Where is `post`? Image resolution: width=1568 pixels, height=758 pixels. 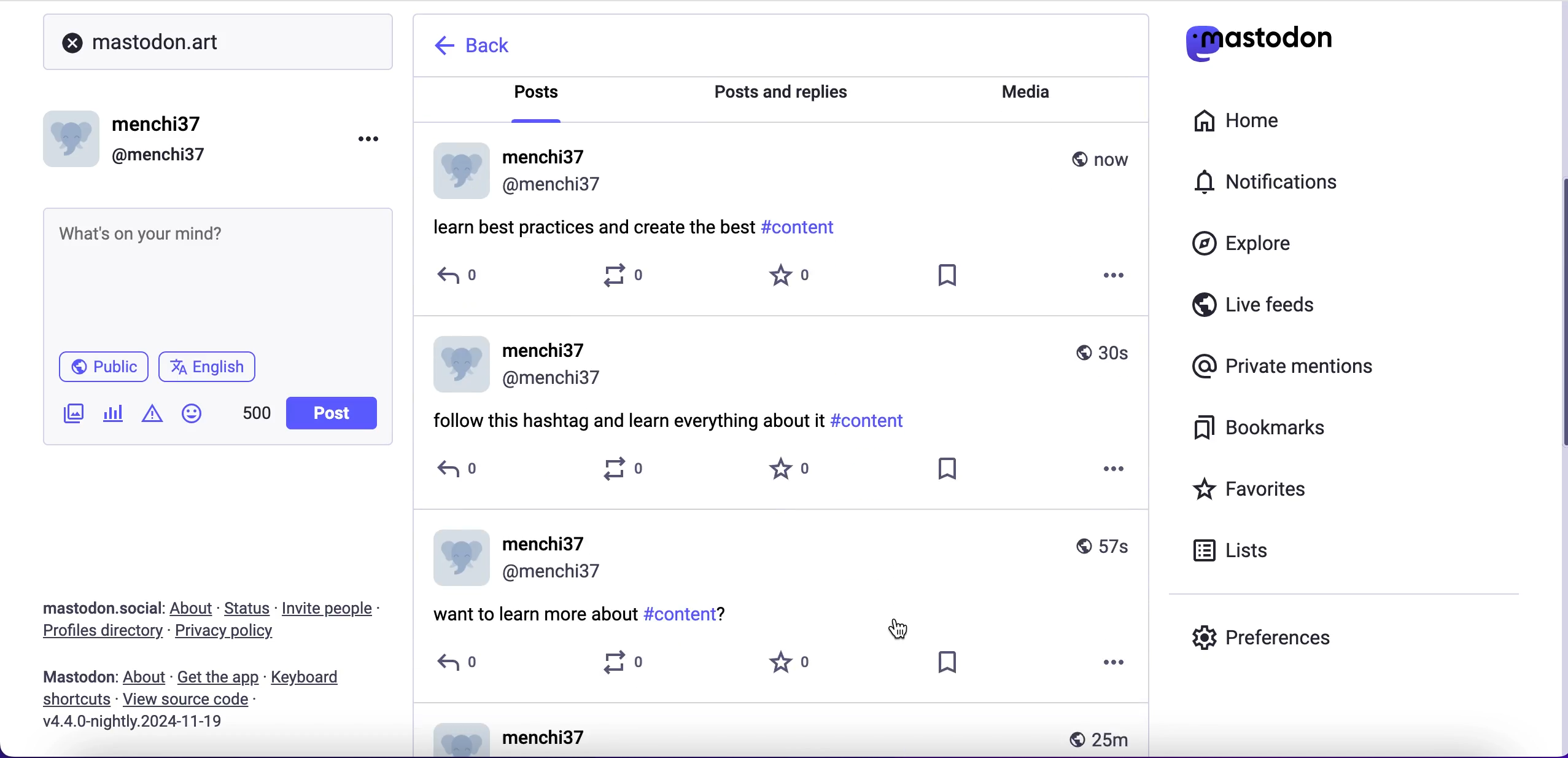
post is located at coordinates (705, 735).